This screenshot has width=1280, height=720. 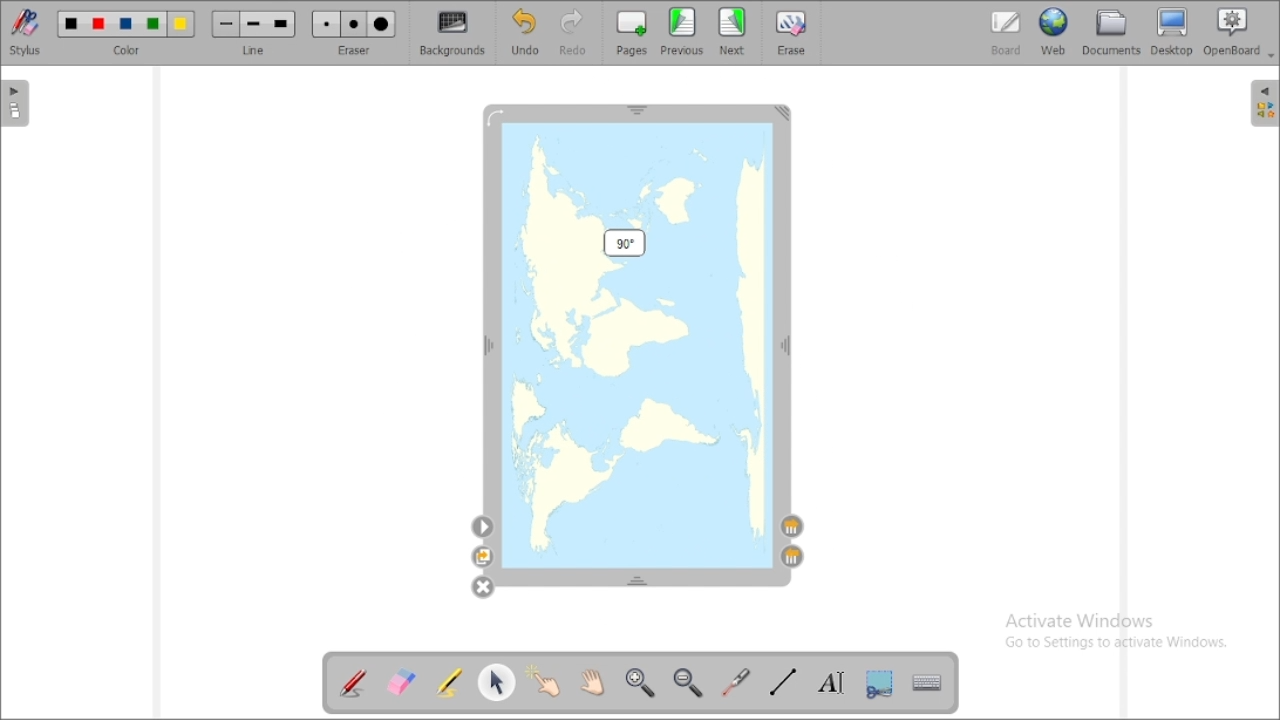 What do you see at coordinates (482, 587) in the screenshot?
I see `delete` at bounding box center [482, 587].